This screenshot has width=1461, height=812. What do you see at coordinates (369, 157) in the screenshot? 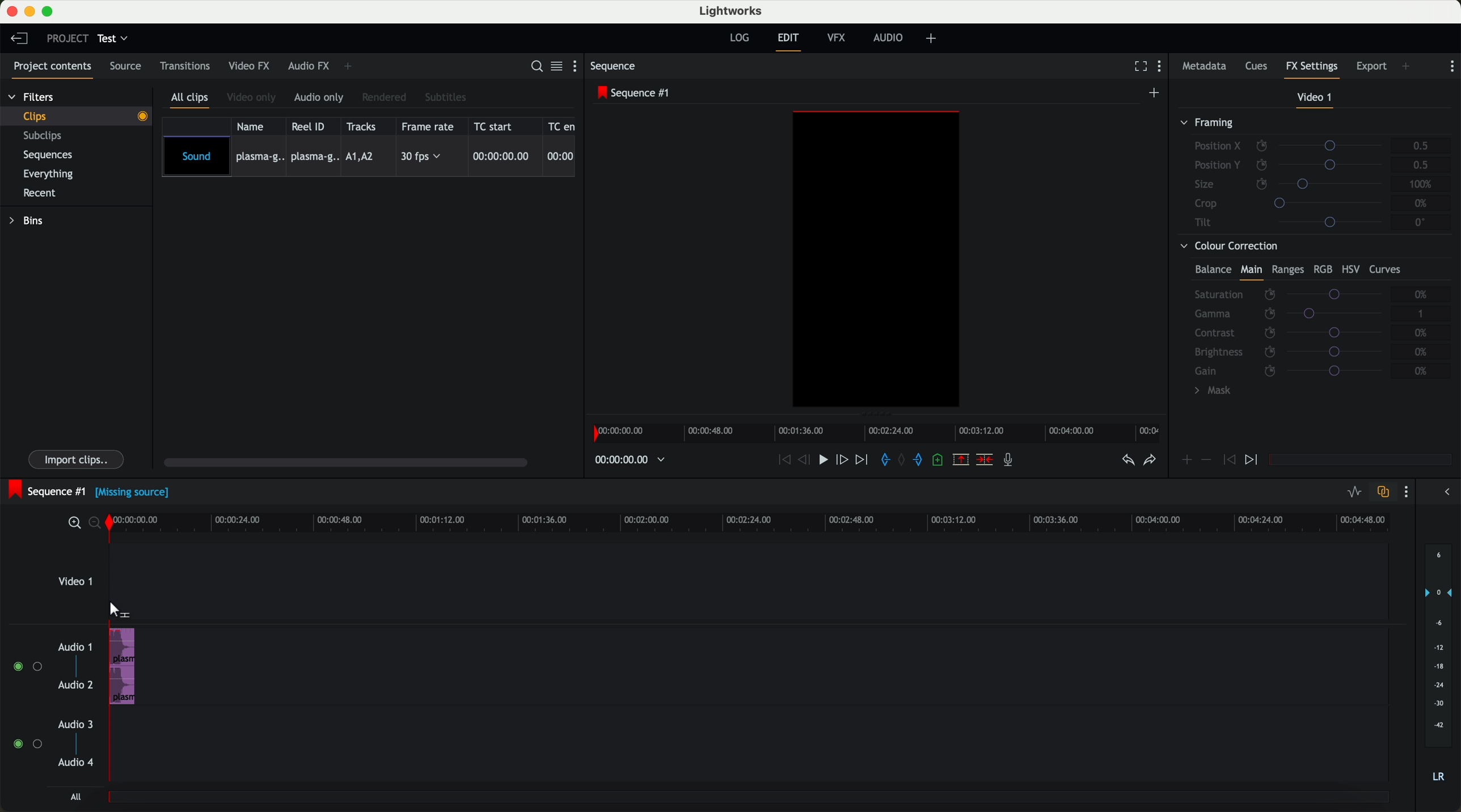
I see `imported sound` at bounding box center [369, 157].